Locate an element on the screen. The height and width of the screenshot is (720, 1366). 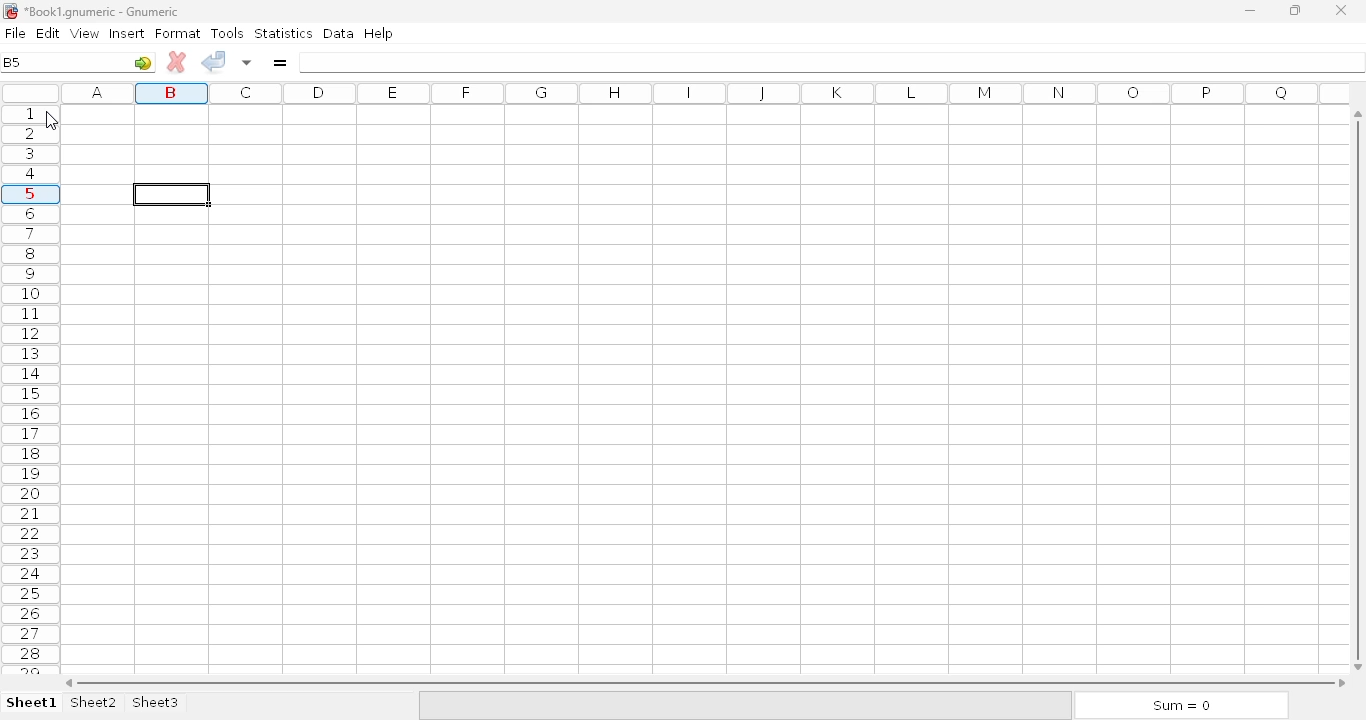
column is located at coordinates (699, 93).